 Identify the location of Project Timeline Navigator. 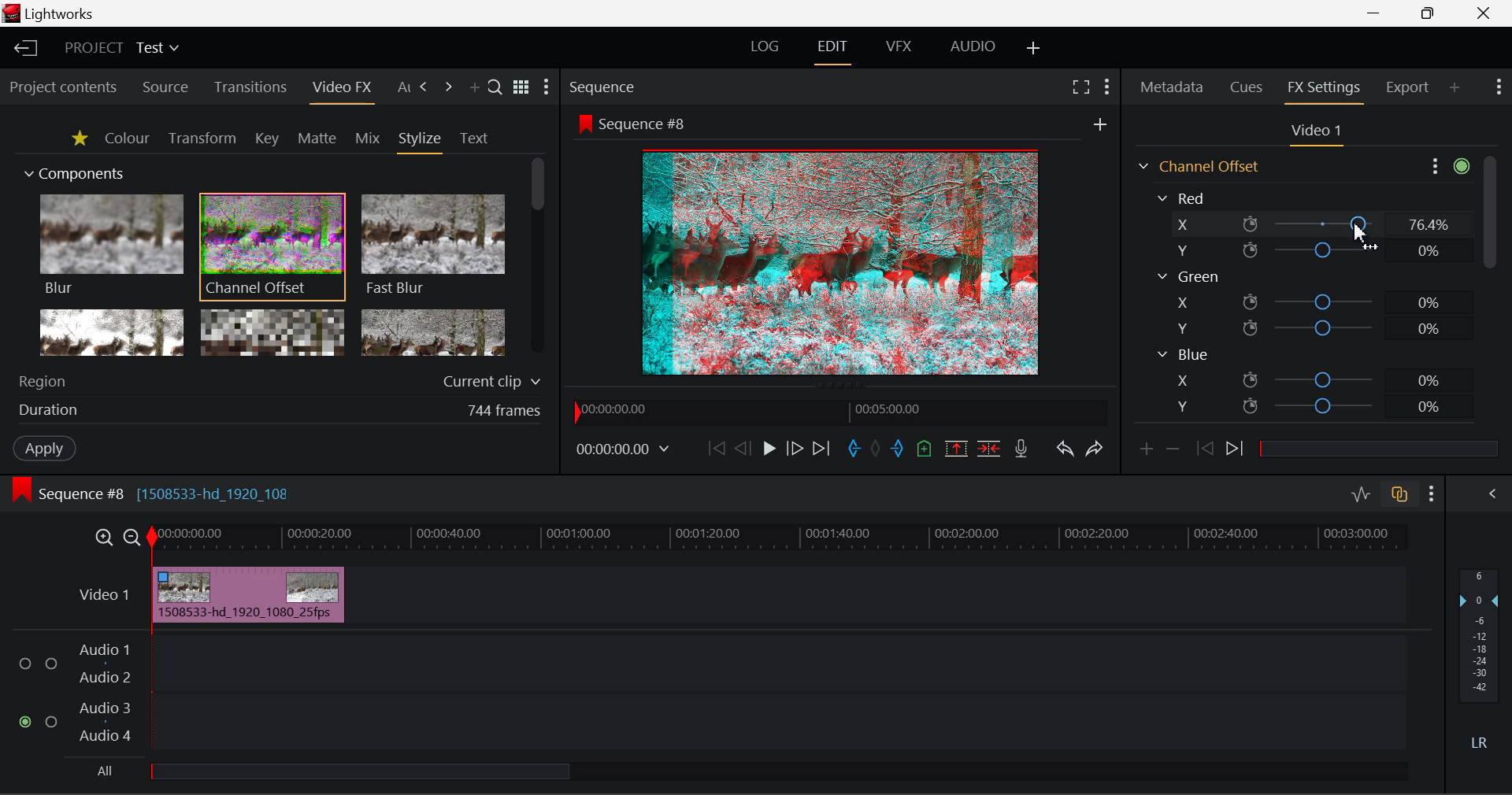
(841, 412).